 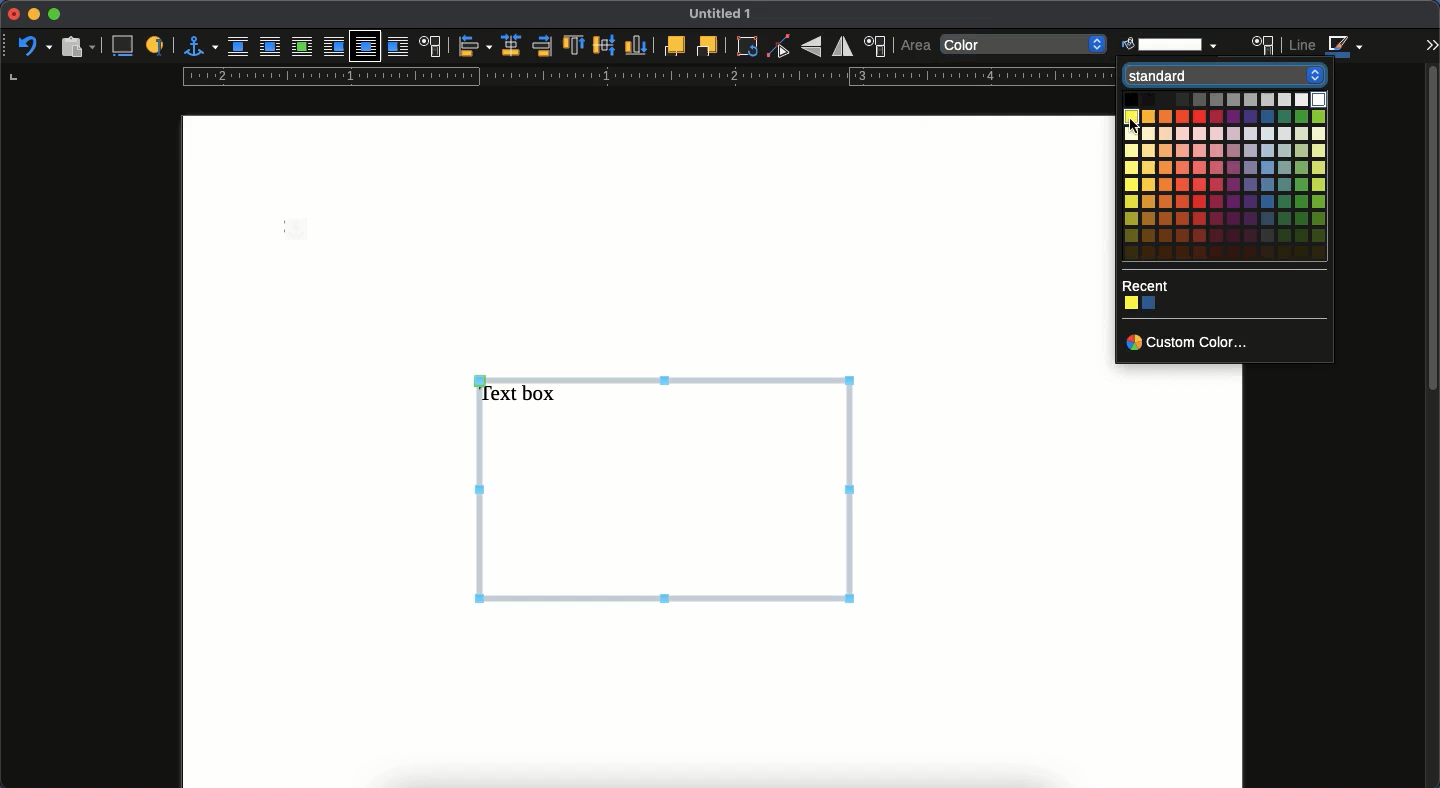 I want to click on Cursor, so click(x=1135, y=126).